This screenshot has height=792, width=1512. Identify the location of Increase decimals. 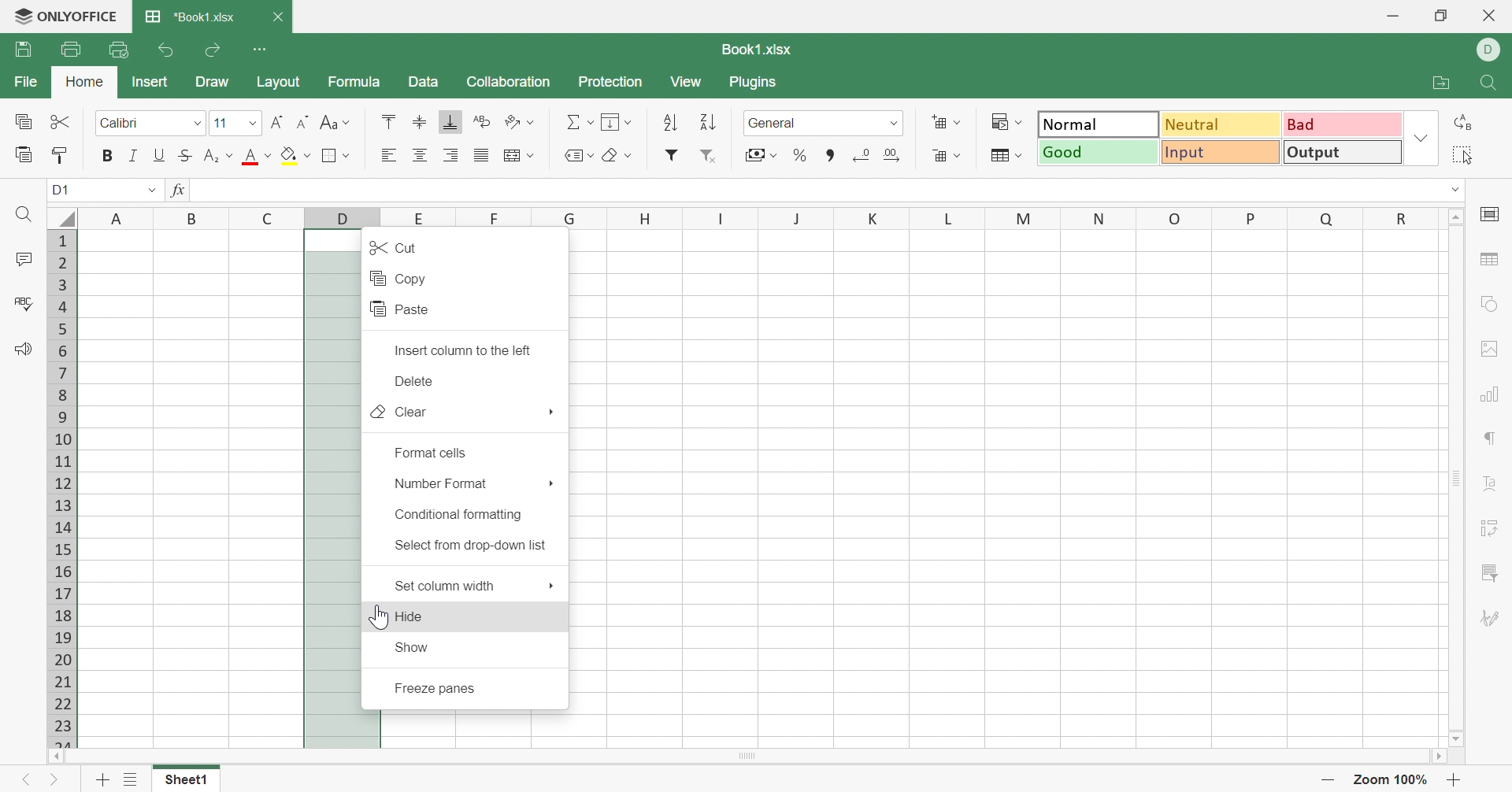
(893, 156).